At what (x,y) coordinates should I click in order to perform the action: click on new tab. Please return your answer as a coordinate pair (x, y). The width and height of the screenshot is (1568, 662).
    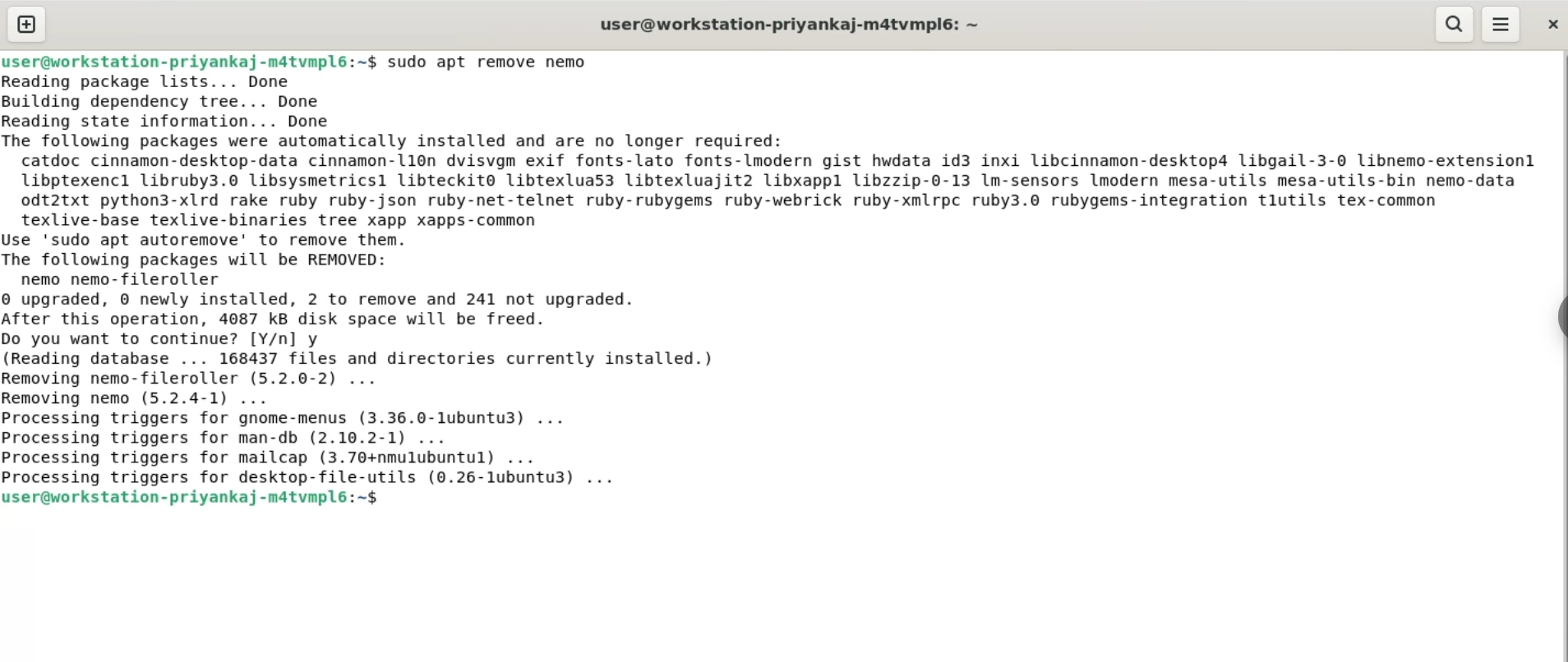
    Looking at the image, I should click on (24, 24).